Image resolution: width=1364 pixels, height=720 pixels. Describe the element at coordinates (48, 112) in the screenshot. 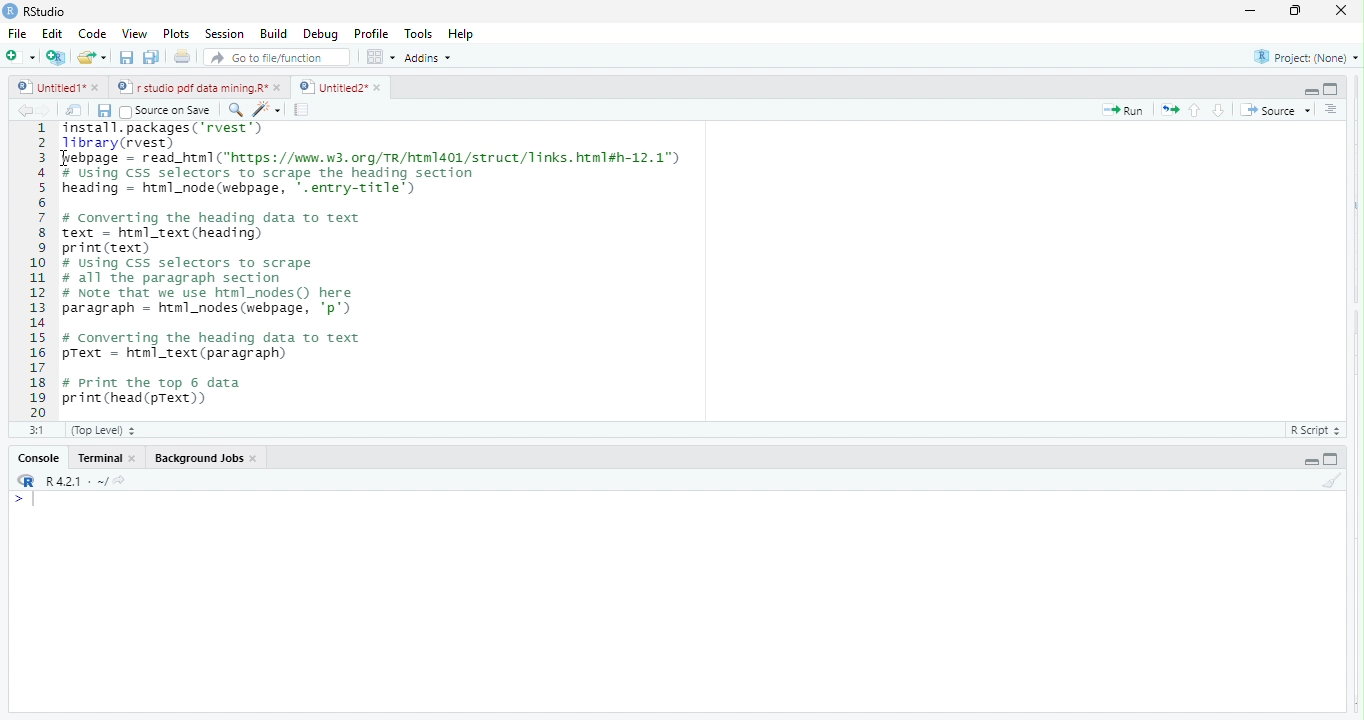

I see `go forward to the next source location` at that location.